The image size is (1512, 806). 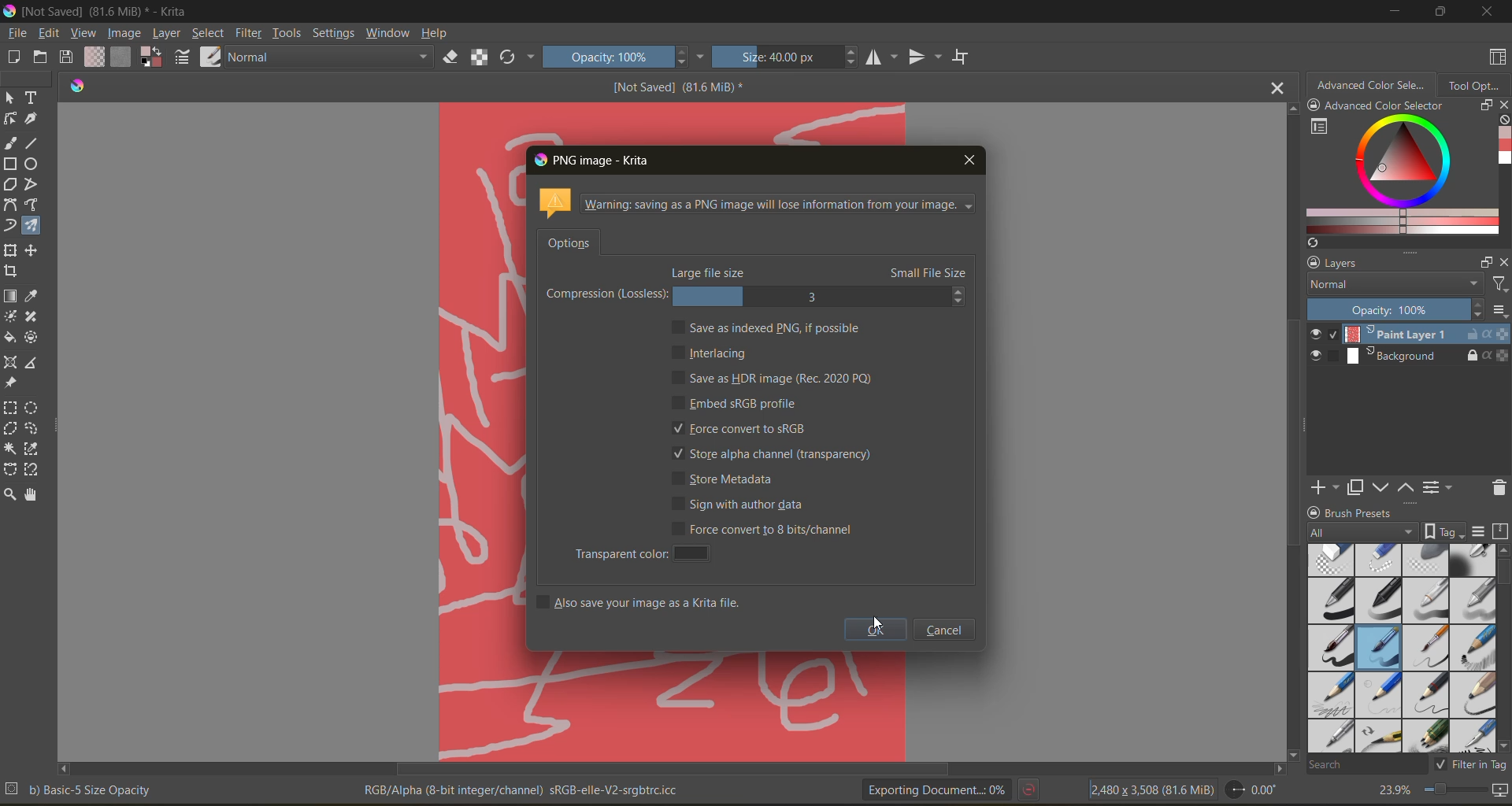 I want to click on mask down, so click(x=1380, y=488).